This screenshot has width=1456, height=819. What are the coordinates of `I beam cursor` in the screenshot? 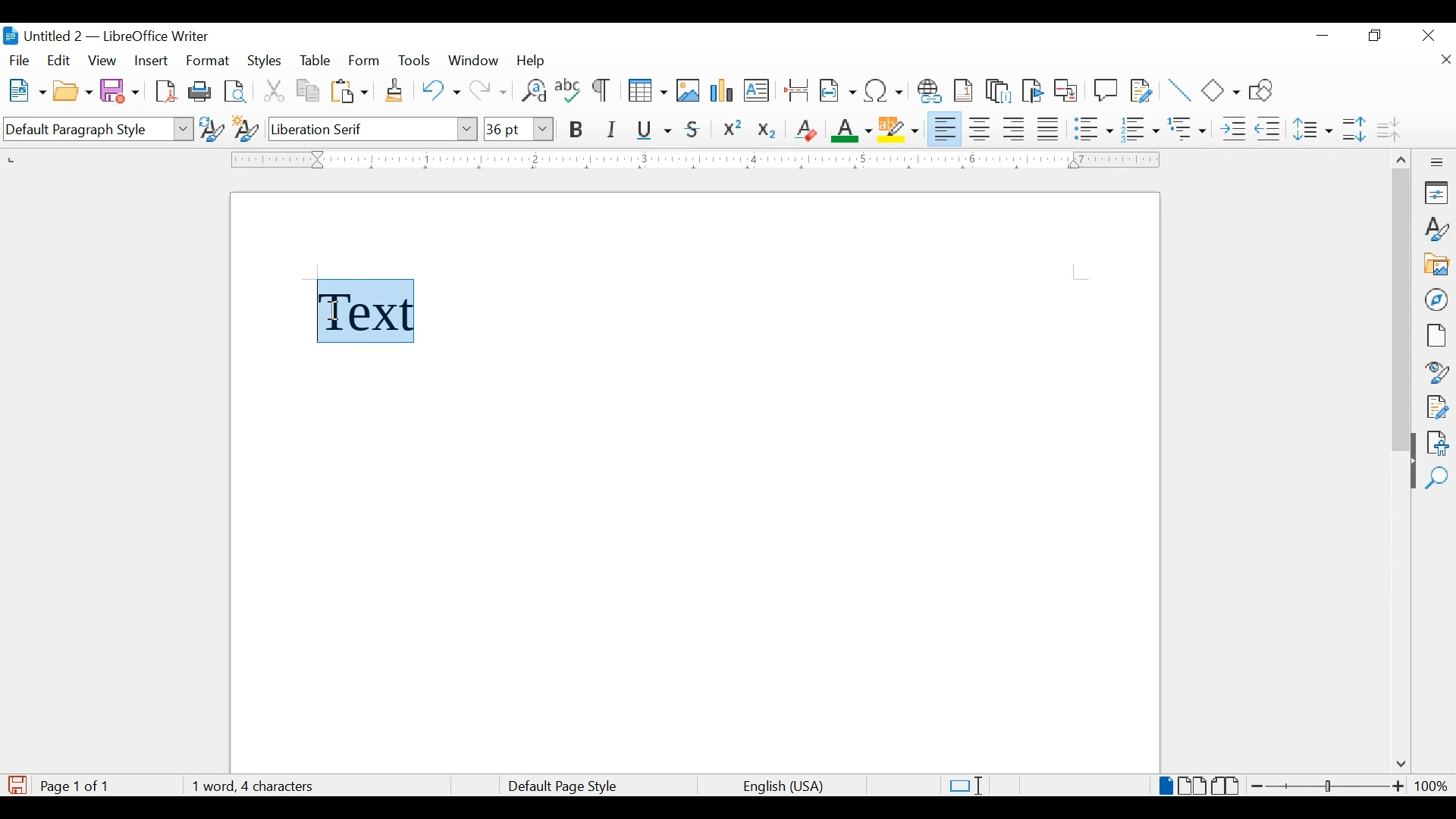 It's located at (336, 317).